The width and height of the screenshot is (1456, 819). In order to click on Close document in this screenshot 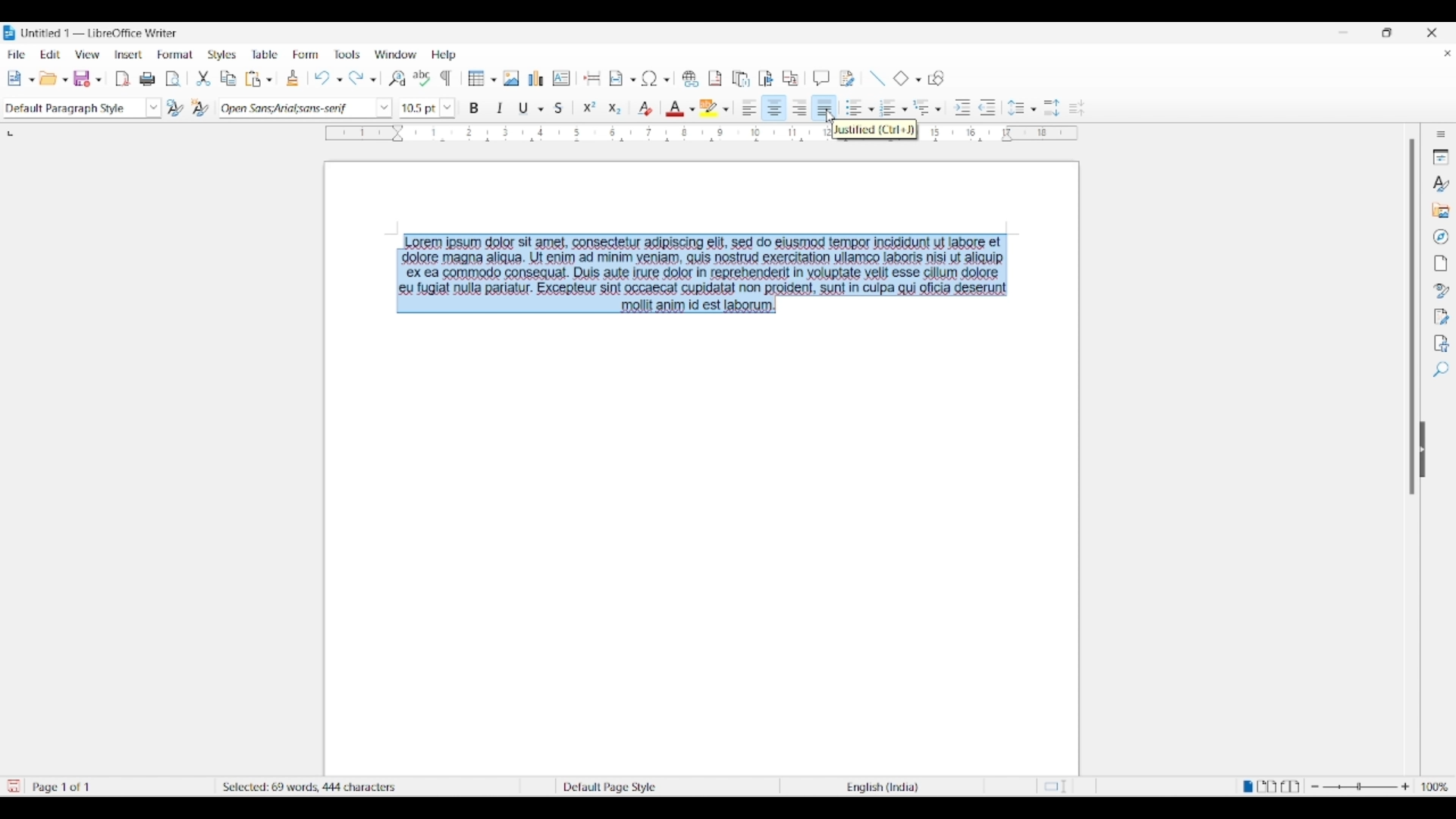, I will do `click(1448, 53)`.